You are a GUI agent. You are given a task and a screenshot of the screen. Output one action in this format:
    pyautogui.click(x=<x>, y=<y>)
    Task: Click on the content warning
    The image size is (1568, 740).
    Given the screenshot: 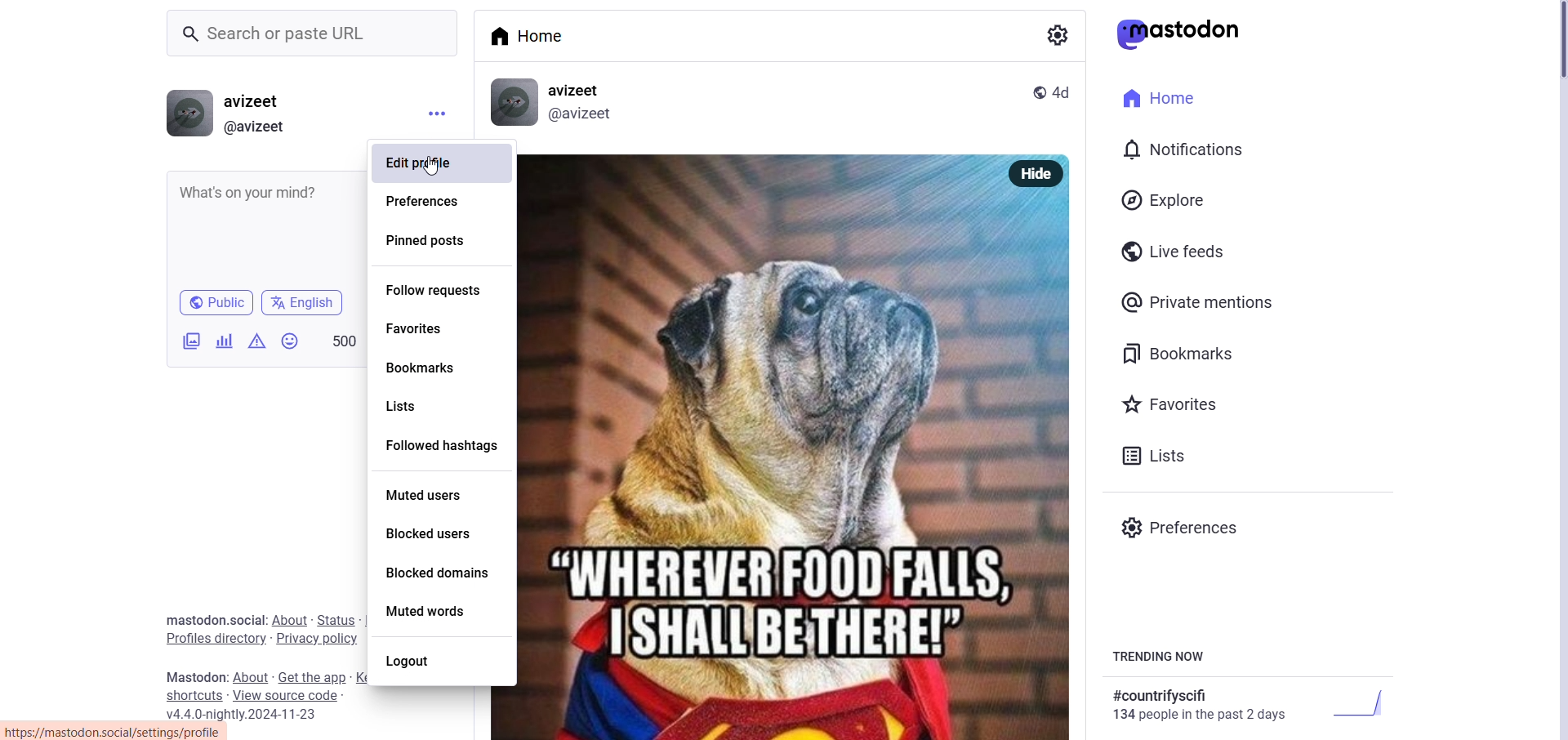 What is the action you would take?
    pyautogui.click(x=255, y=342)
    